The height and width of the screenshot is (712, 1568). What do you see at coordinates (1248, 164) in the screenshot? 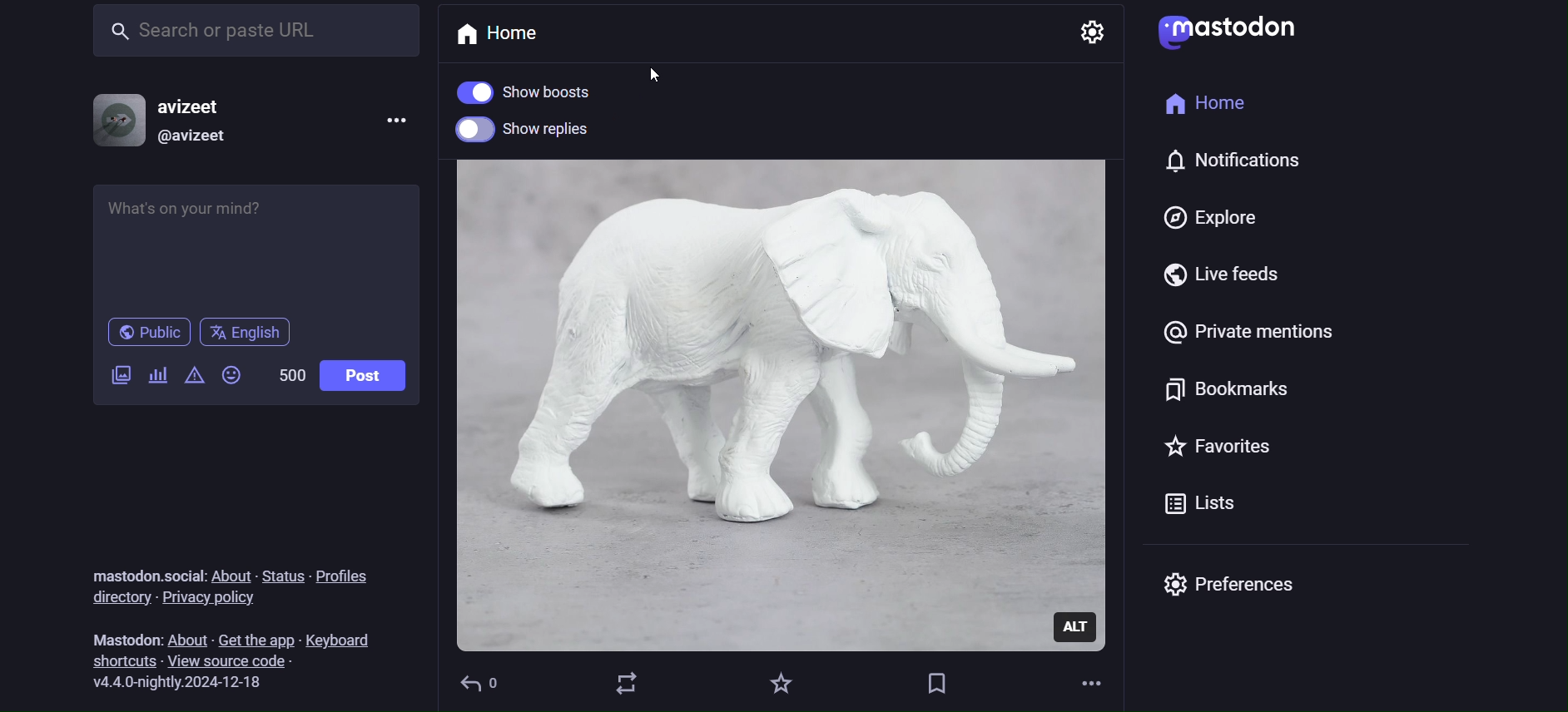
I see `notification` at bounding box center [1248, 164].